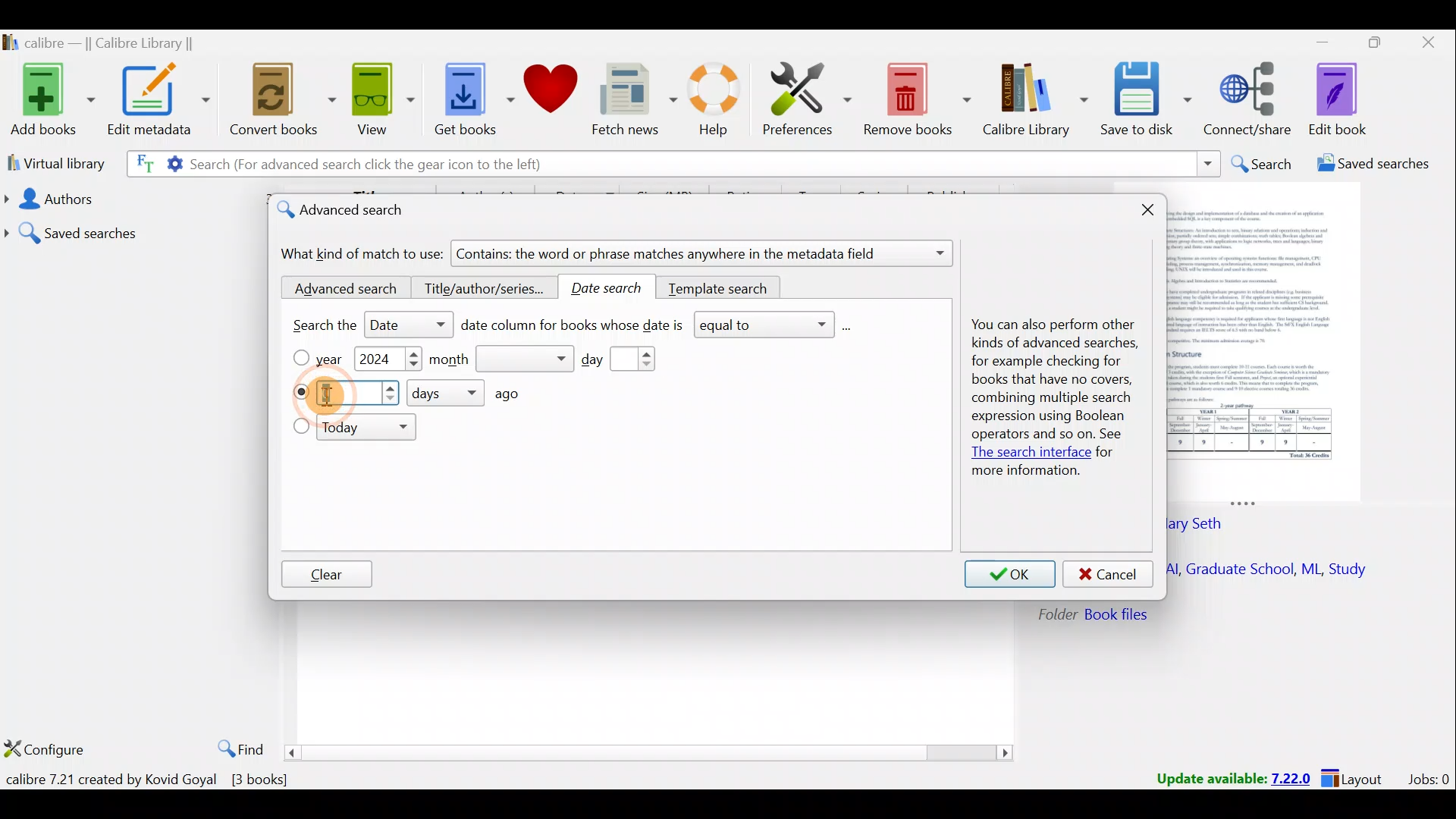 The height and width of the screenshot is (819, 1456). I want to click on Year checkbox, so click(300, 358).